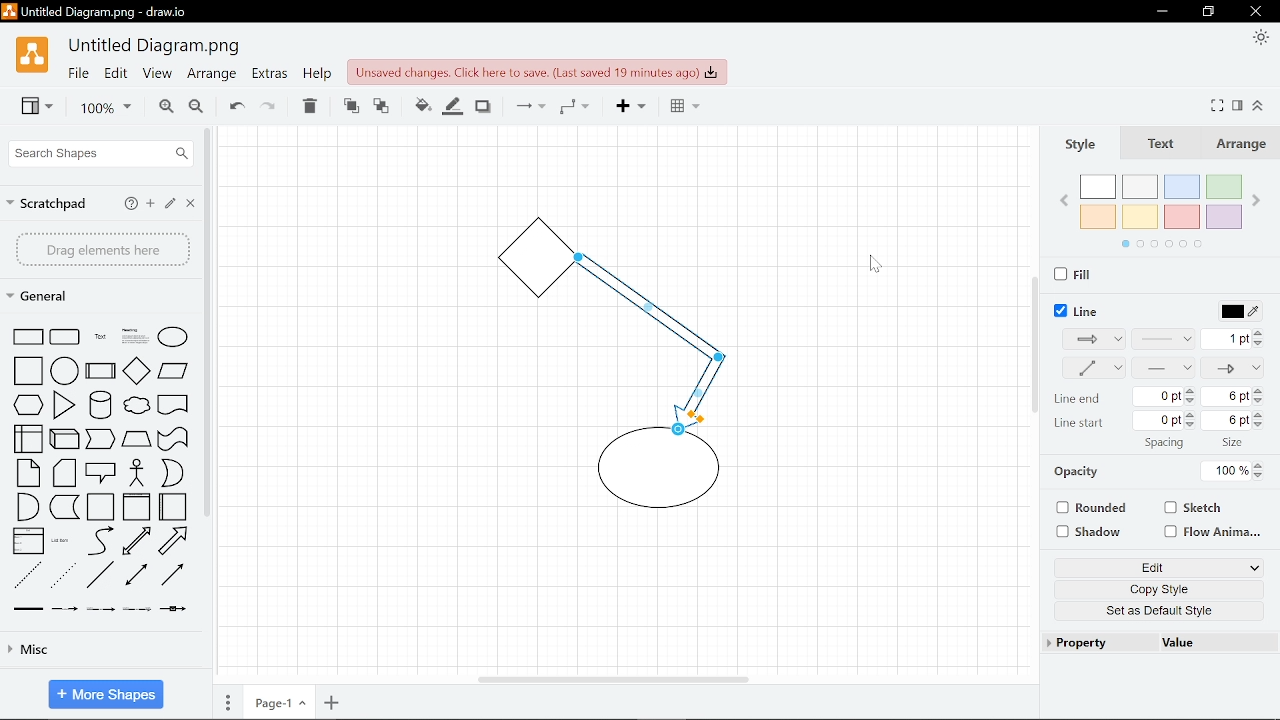 This screenshot has width=1280, height=720. I want to click on Edit, so click(172, 205).